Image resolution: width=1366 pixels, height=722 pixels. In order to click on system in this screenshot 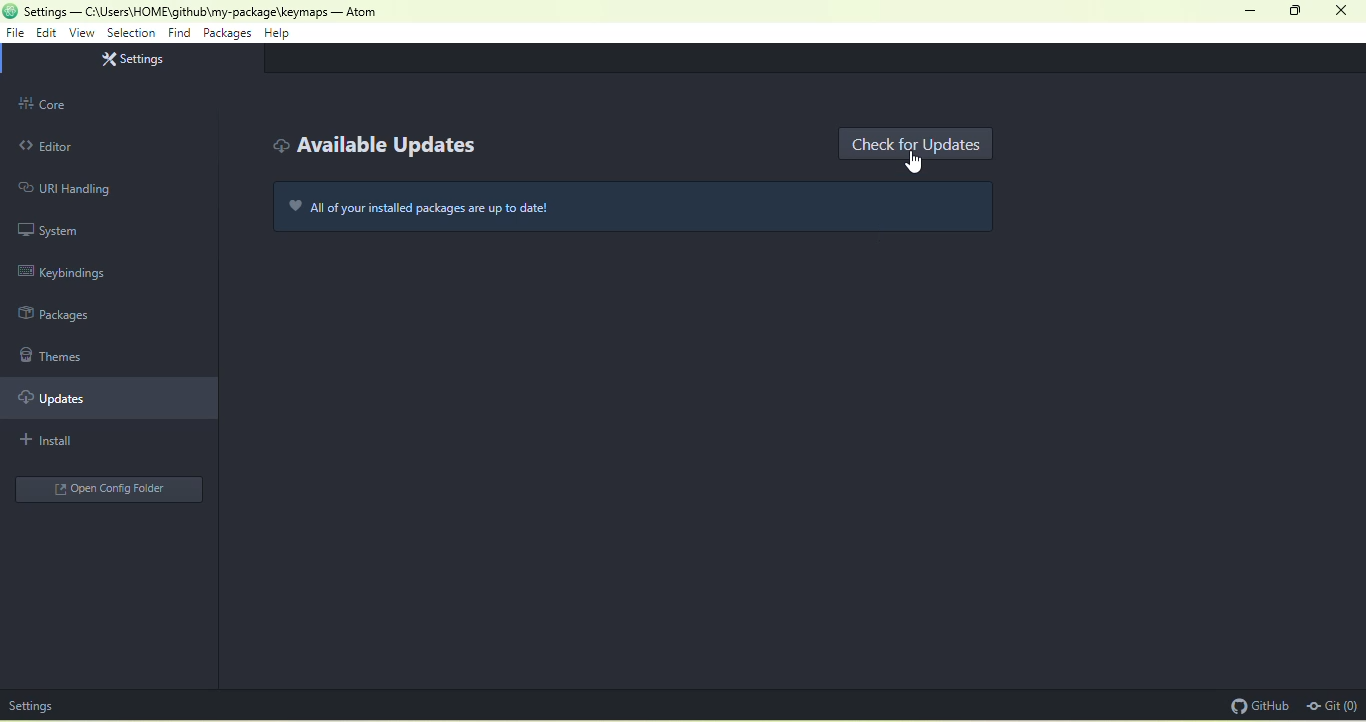, I will do `click(54, 231)`.